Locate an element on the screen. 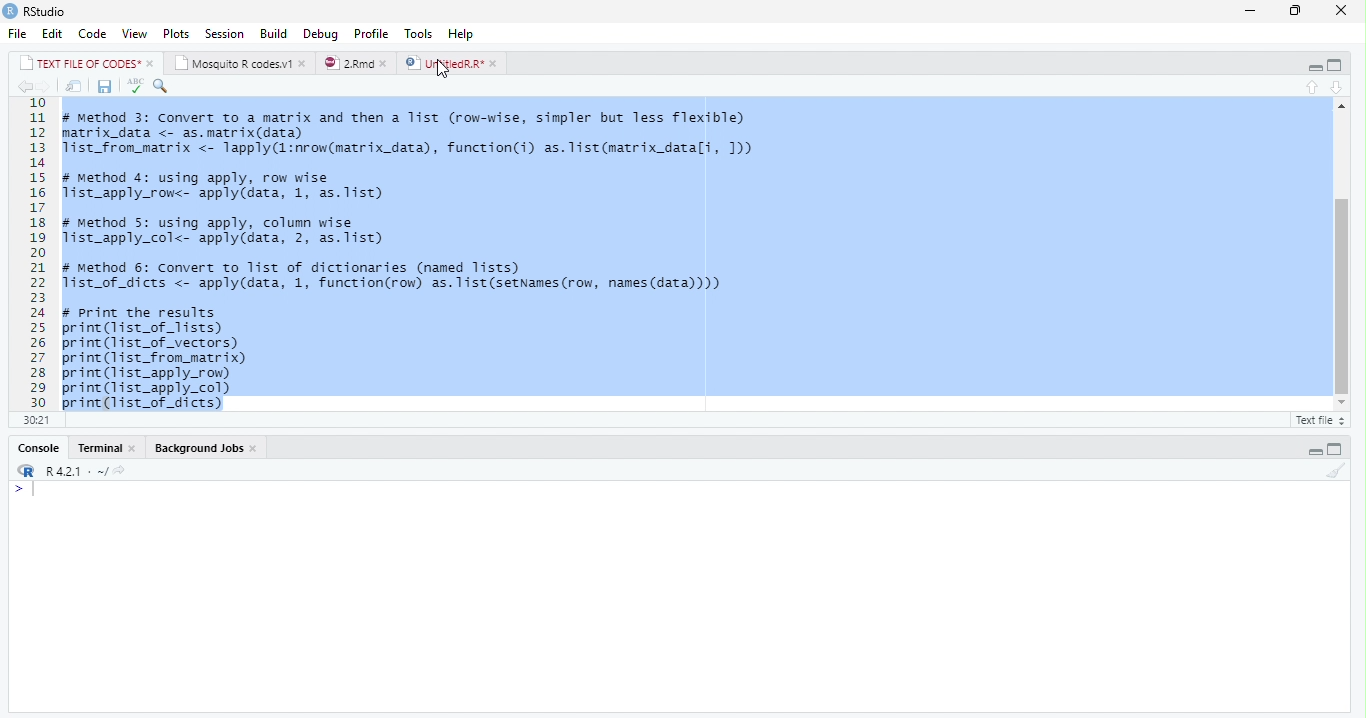 The width and height of the screenshot is (1366, 718). Edit is located at coordinates (54, 33).